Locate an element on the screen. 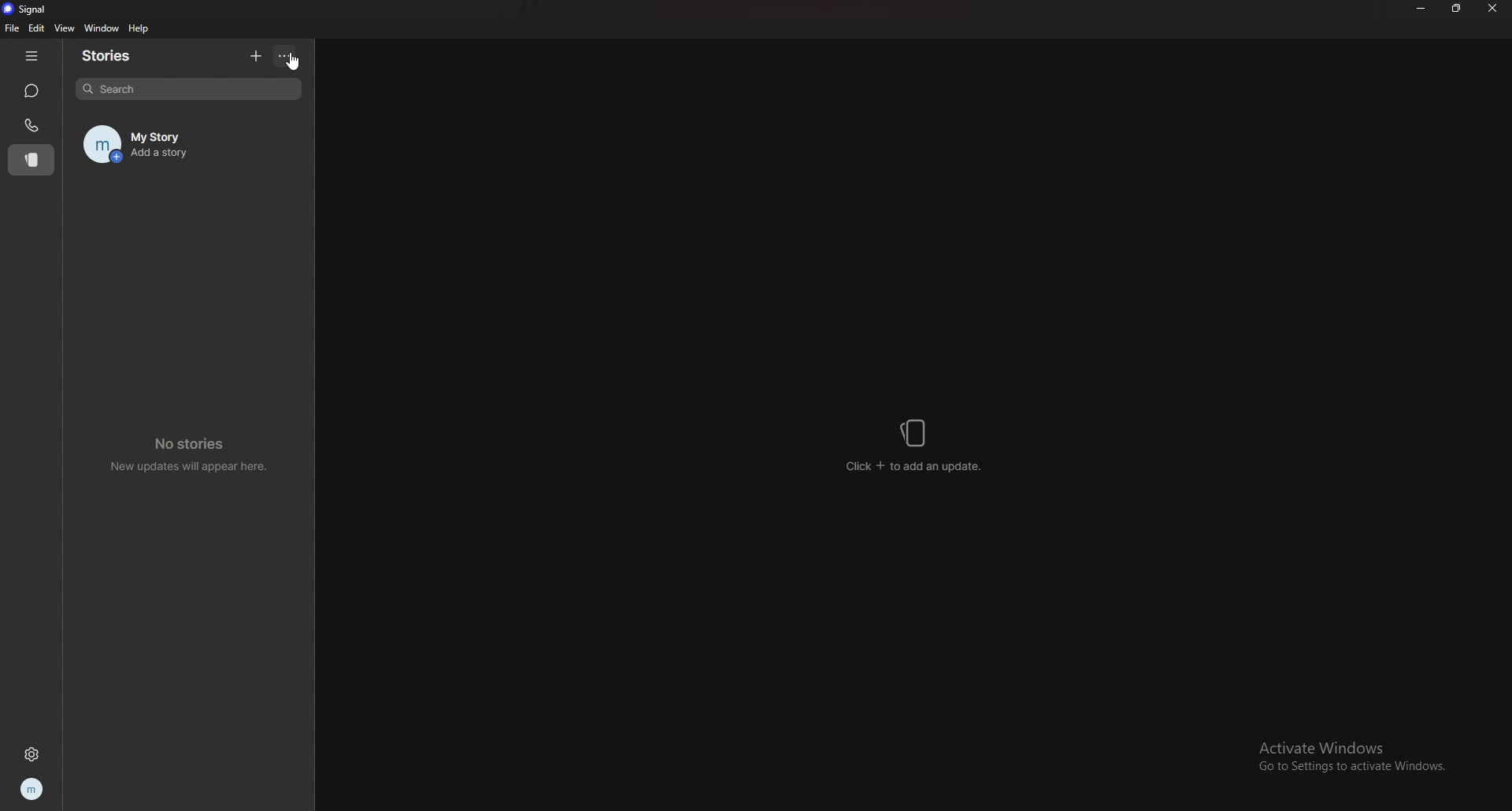 Image resolution: width=1512 pixels, height=811 pixels. chats is located at coordinates (32, 91).